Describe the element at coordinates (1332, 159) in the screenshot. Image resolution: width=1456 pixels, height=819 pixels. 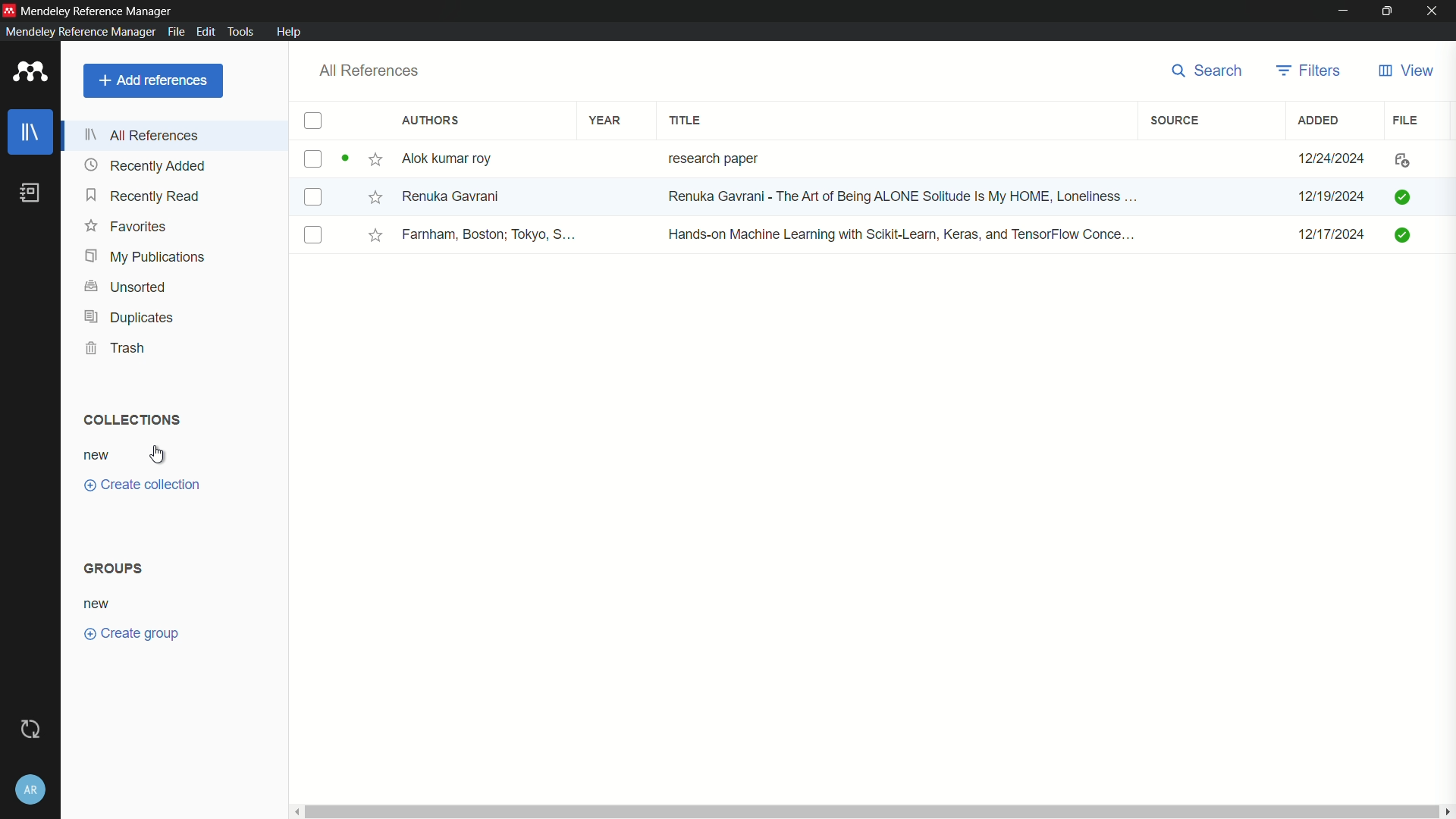
I see `12/24/2024` at that location.